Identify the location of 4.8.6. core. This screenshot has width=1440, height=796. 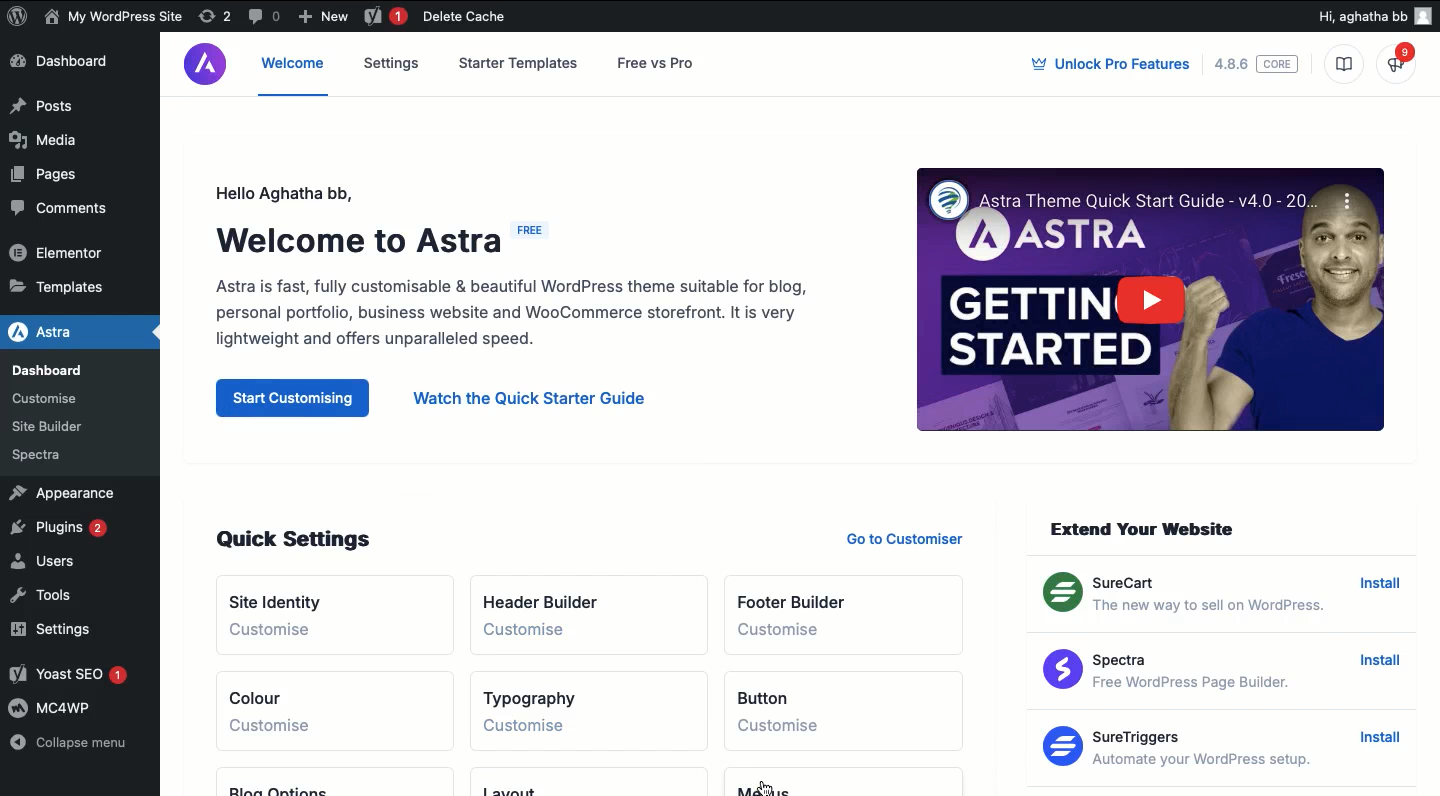
(1256, 64).